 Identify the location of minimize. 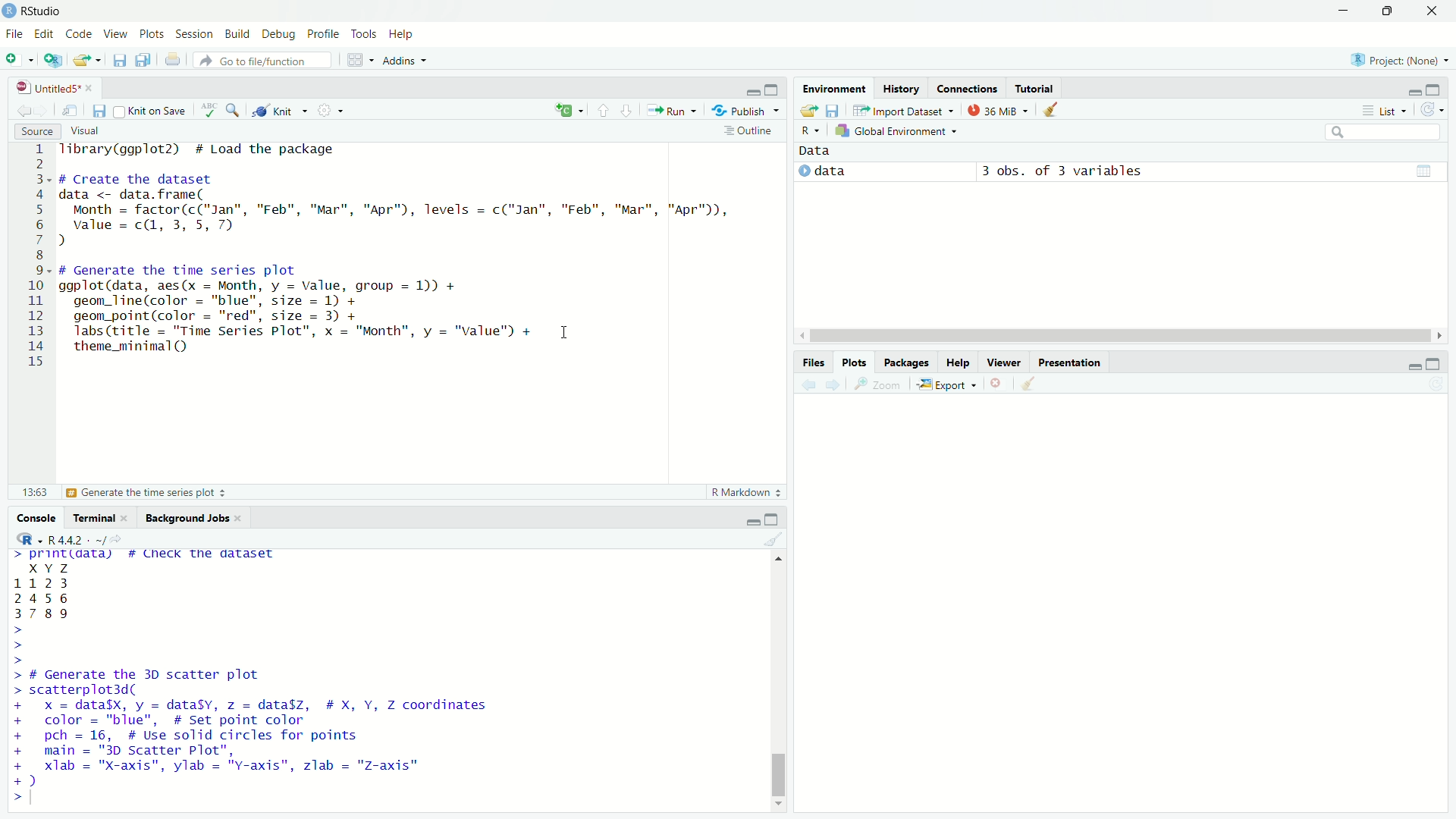
(1343, 13).